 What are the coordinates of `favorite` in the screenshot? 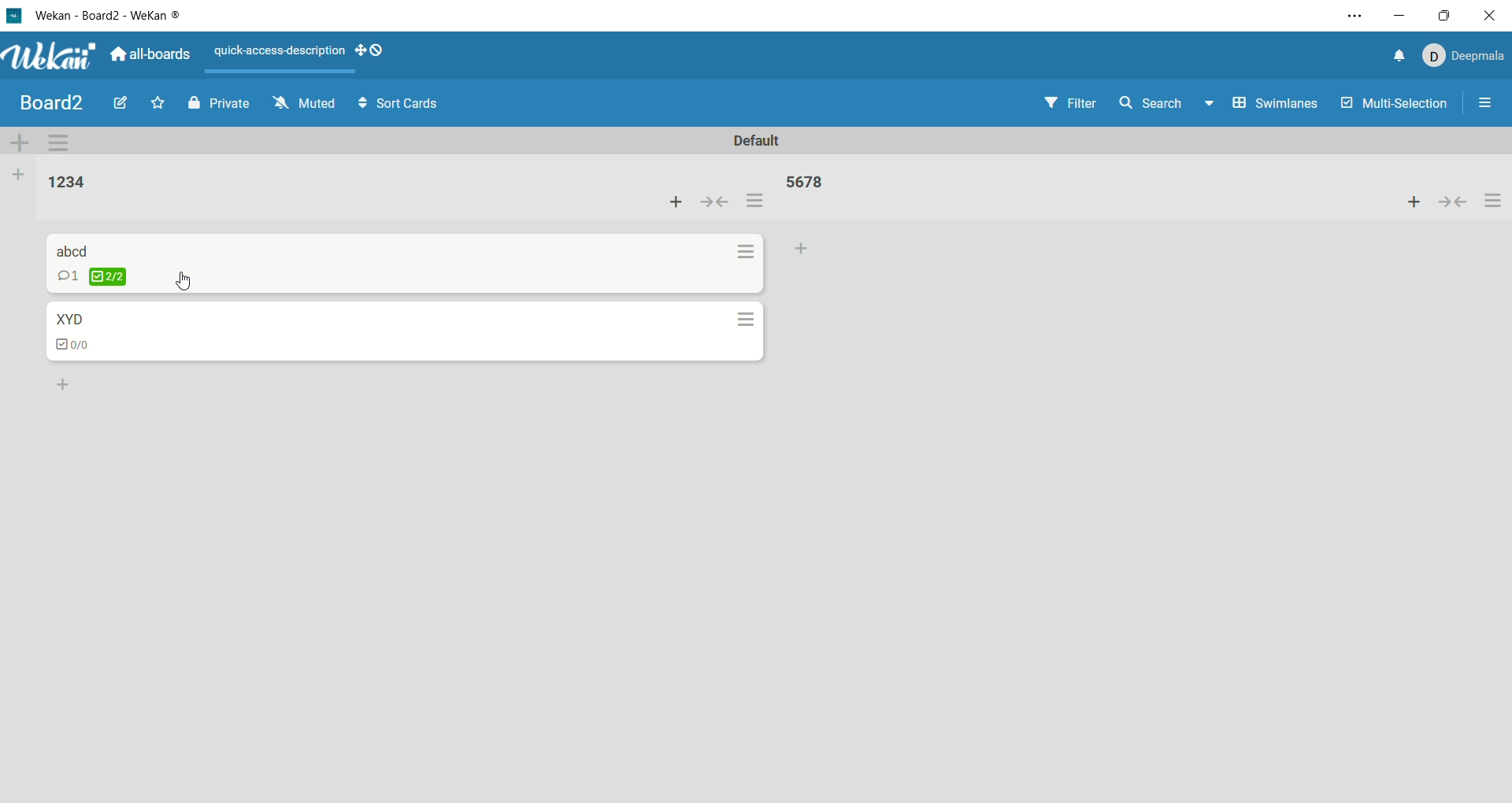 It's located at (159, 102).